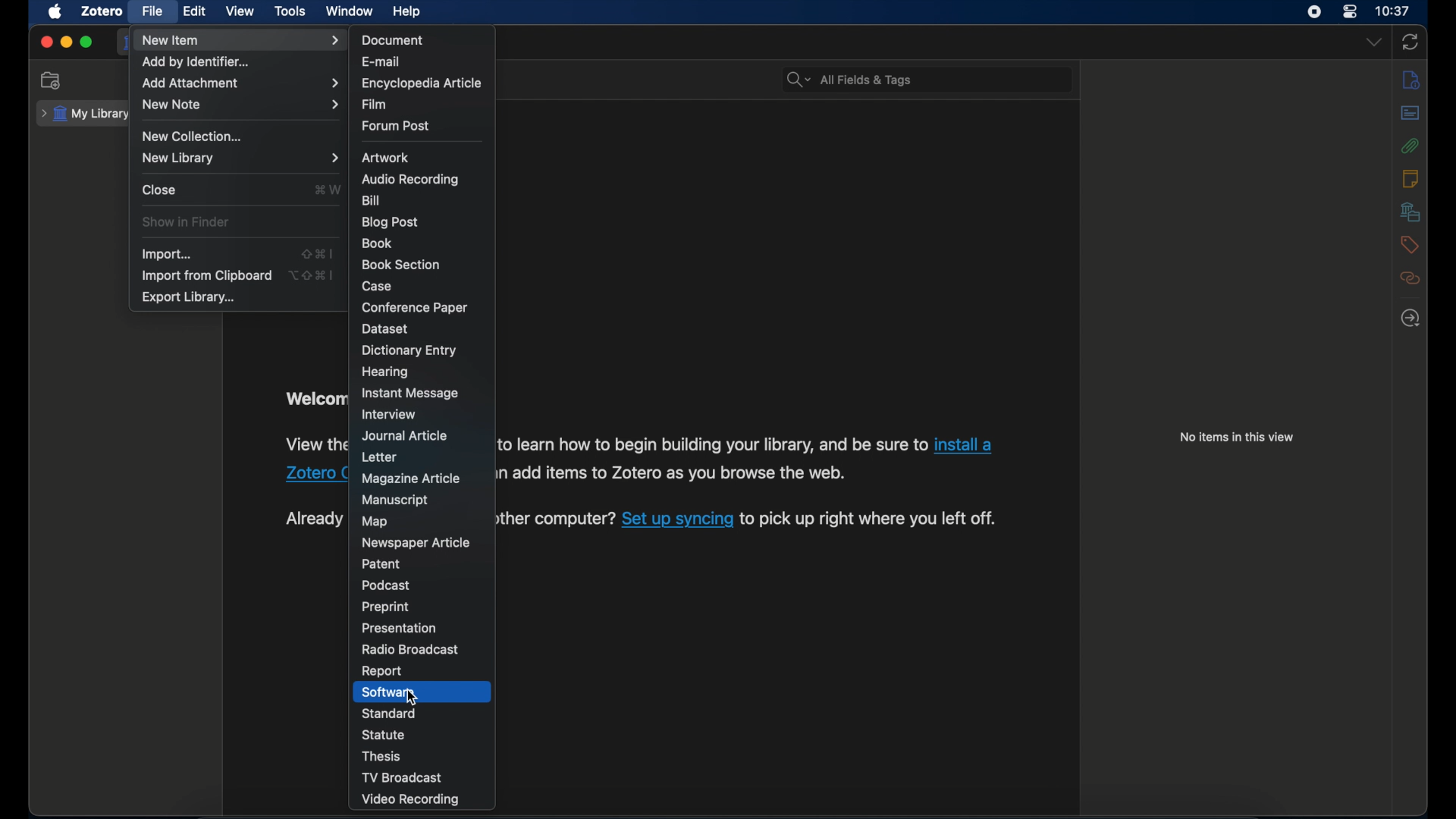  What do you see at coordinates (242, 83) in the screenshot?
I see `add attachment` at bounding box center [242, 83].